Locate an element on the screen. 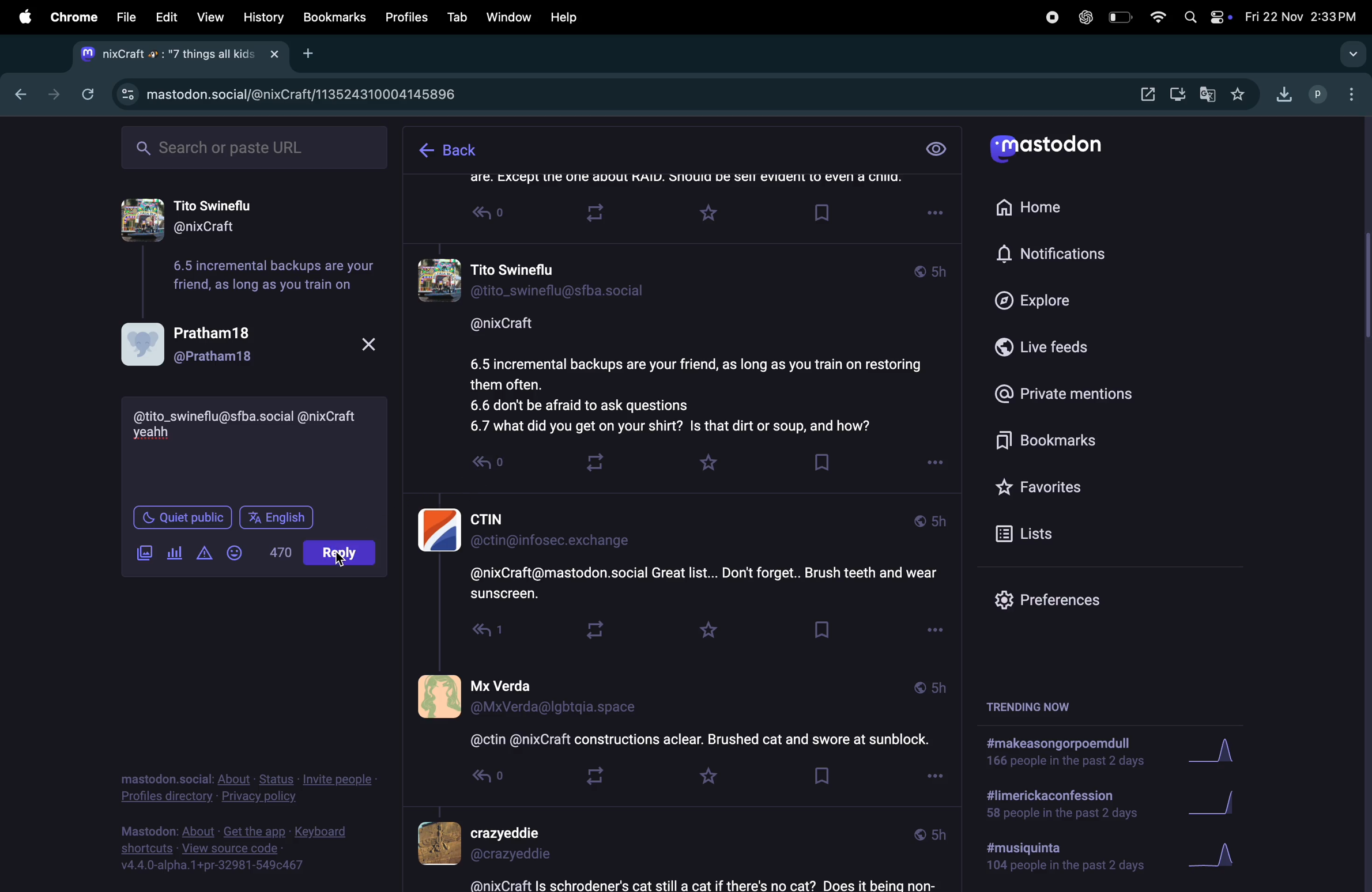 Image resolution: width=1372 pixels, height=892 pixels. lists is located at coordinates (1073, 536).